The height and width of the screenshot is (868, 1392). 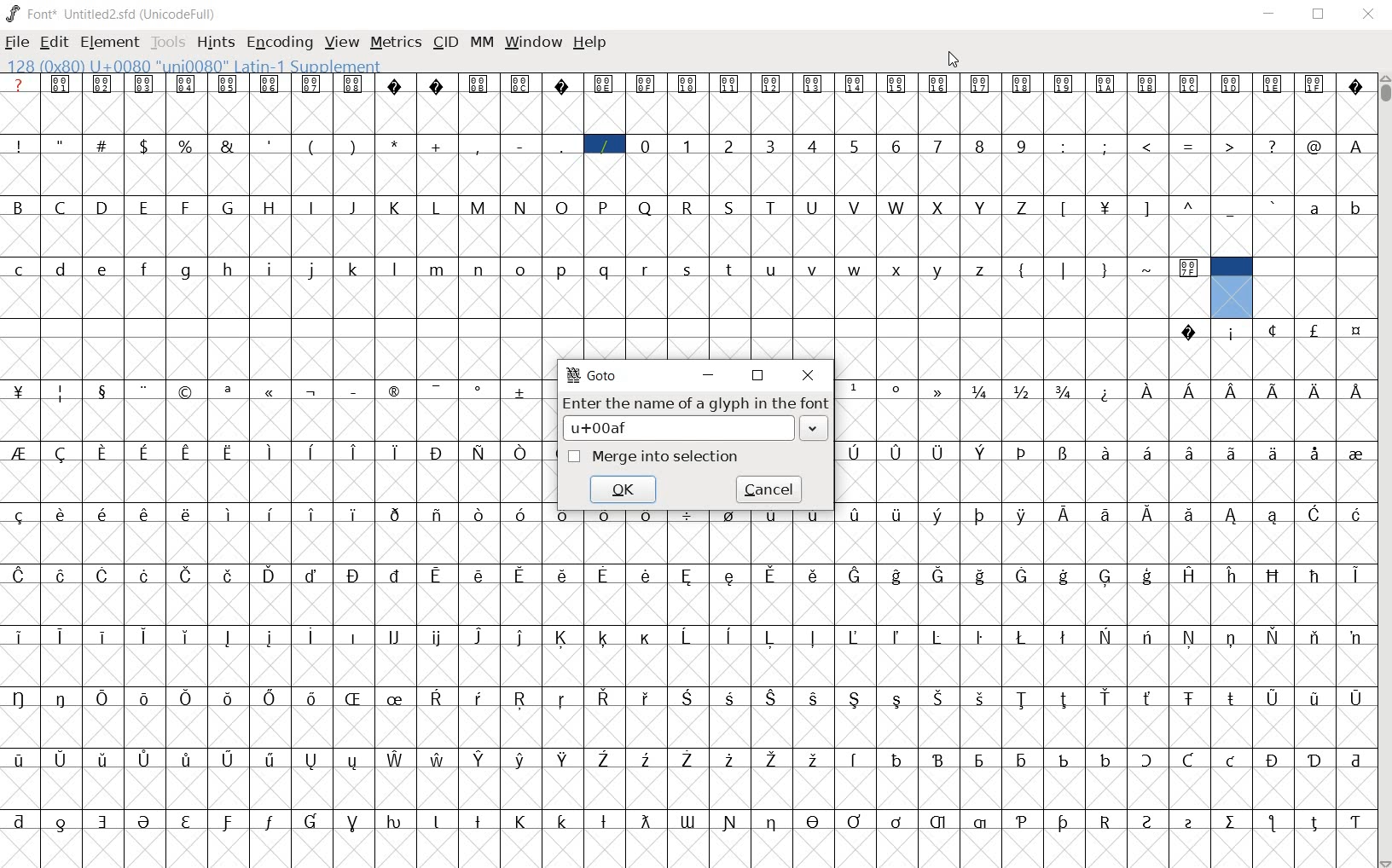 What do you see at coordinates (229, 820) in the screenshot?
I see `Symbol` at bounding box center [229, 820].